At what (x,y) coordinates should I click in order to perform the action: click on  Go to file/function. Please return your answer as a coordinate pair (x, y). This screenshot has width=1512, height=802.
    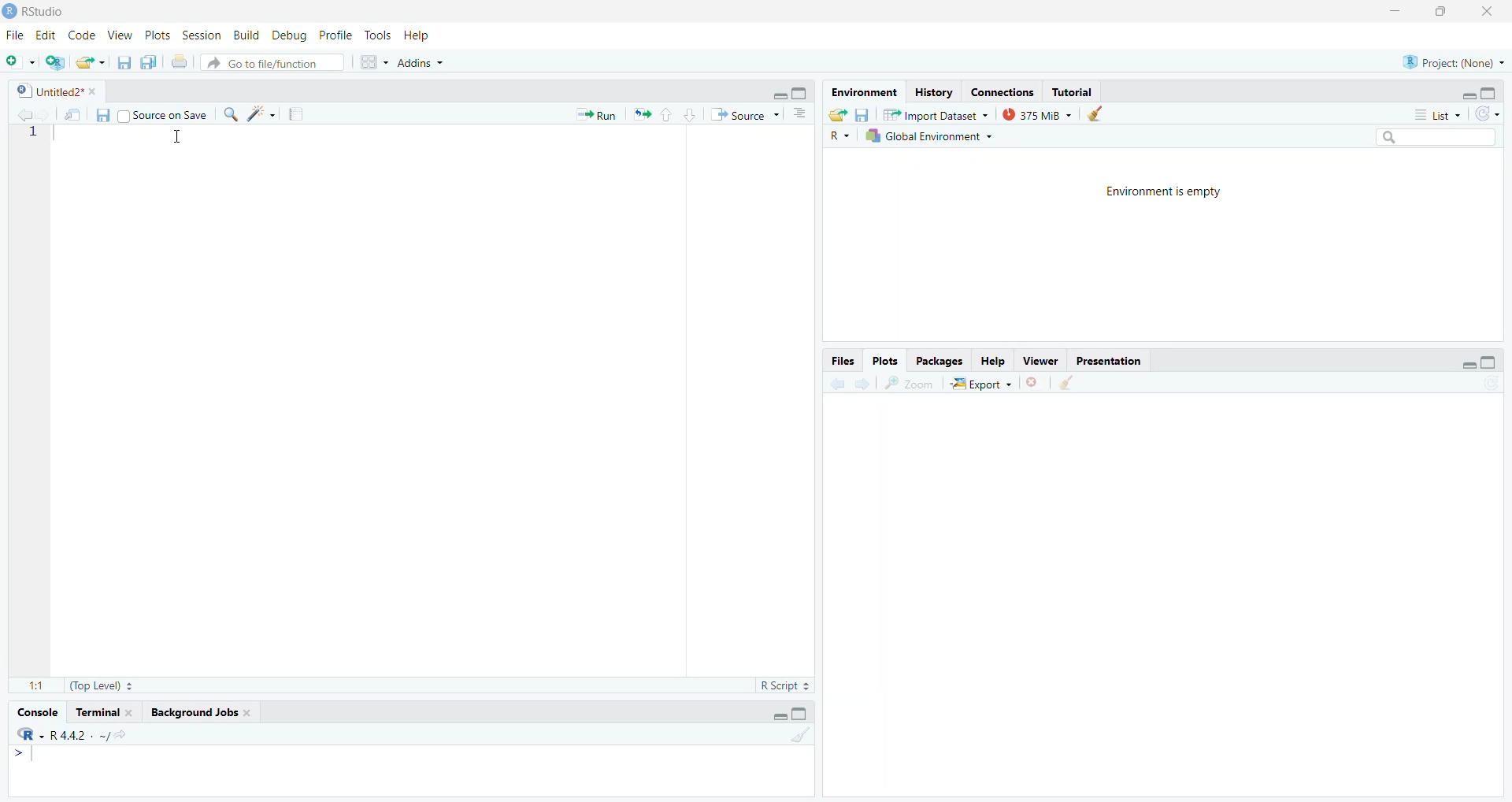
    Looking at the image, I should click on (275, 61).